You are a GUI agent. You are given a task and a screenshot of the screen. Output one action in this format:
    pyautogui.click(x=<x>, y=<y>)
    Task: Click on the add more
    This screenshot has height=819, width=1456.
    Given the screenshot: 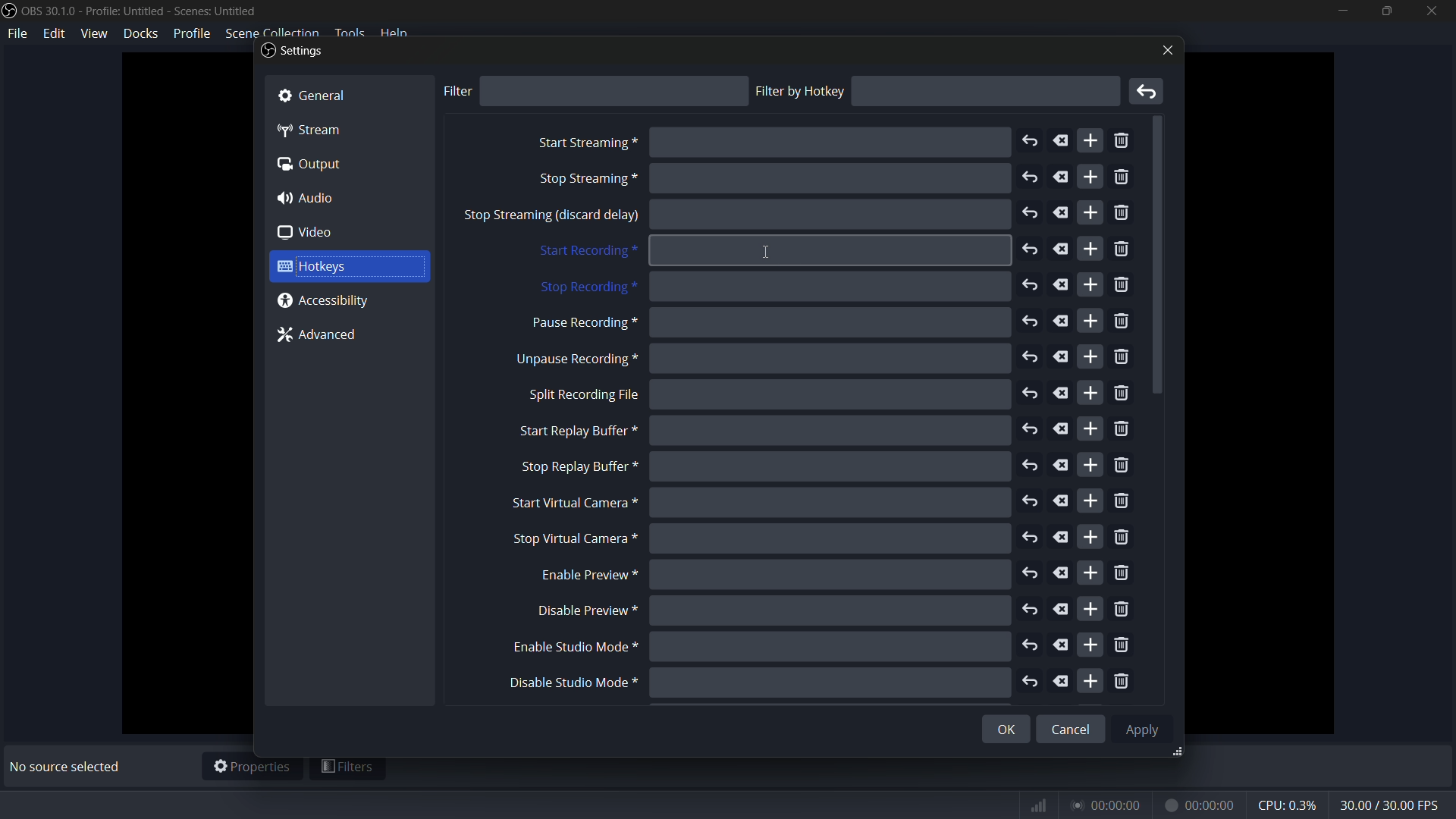 What is the action you would take?
    pyautogui.click(x=1090, y=574)
    